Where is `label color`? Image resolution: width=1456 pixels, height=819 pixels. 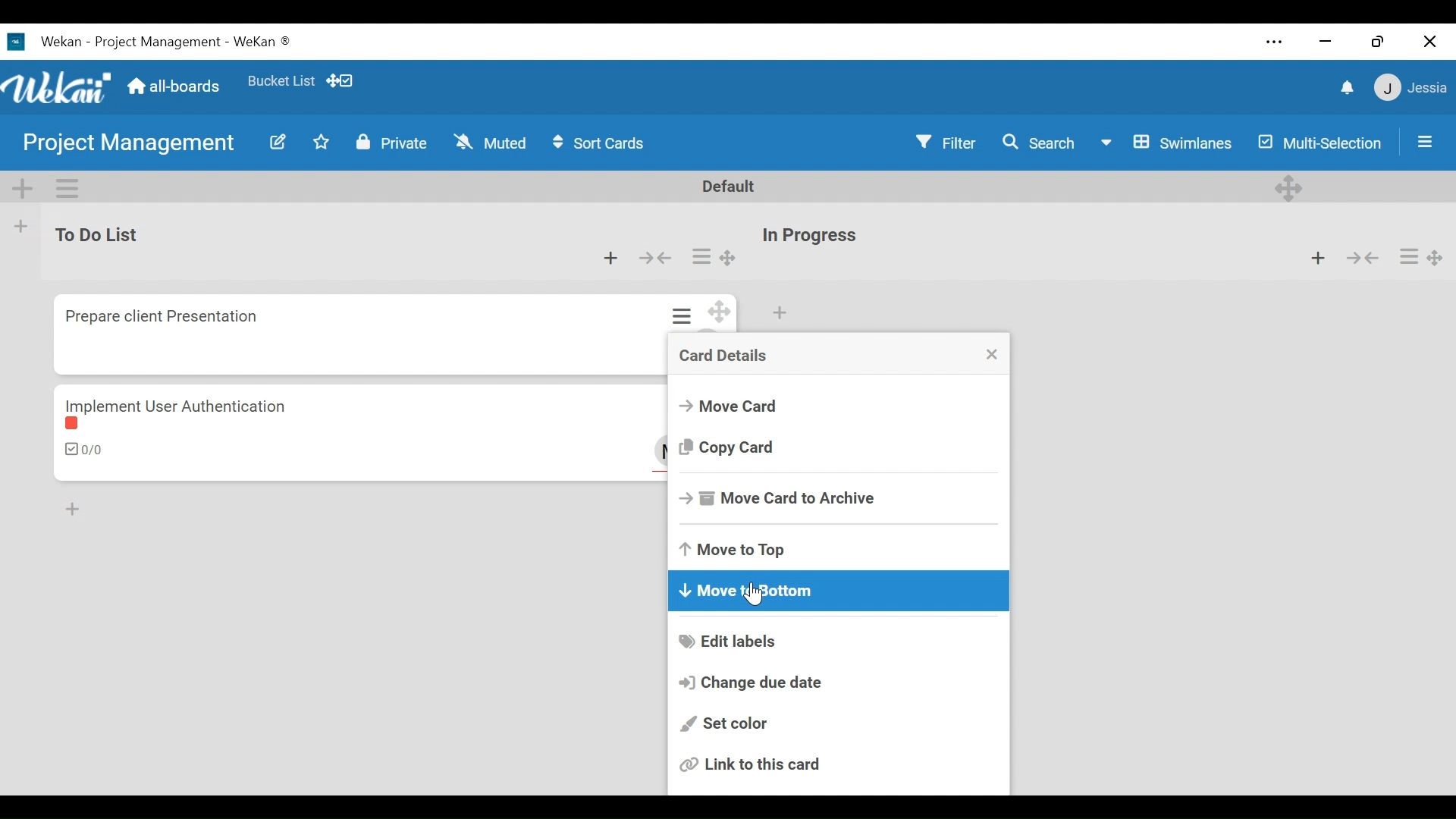
label color is located at coordinates (77, 425).